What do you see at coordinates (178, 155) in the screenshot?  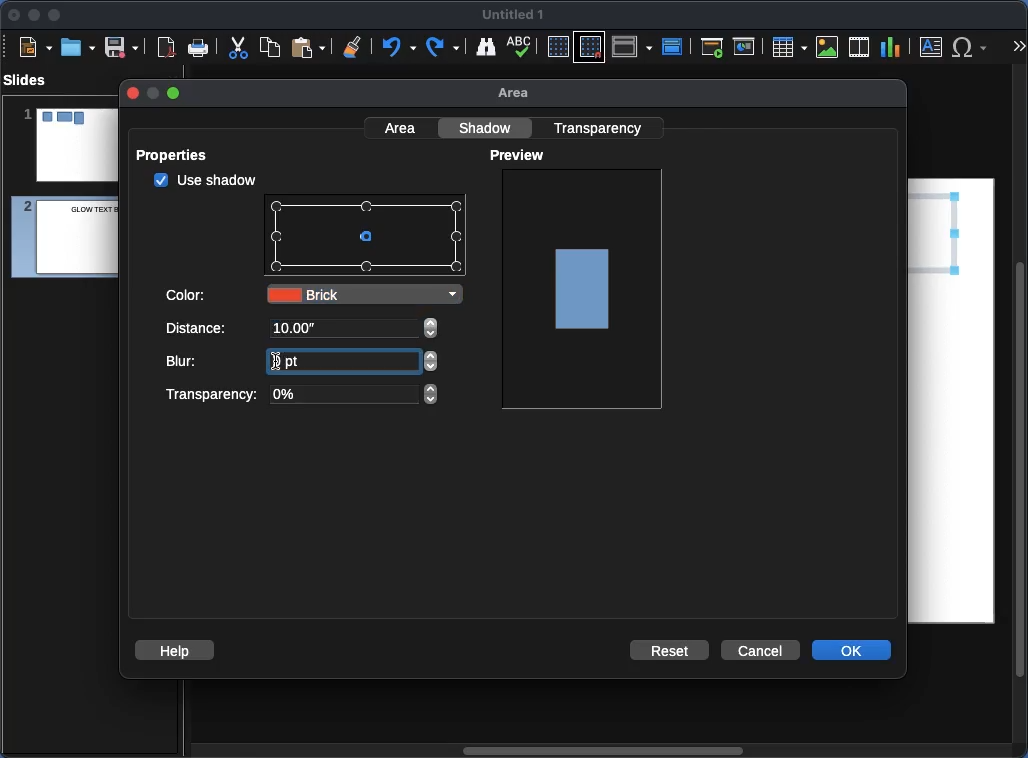 I see `Properties` at bounding box center [178, 155].